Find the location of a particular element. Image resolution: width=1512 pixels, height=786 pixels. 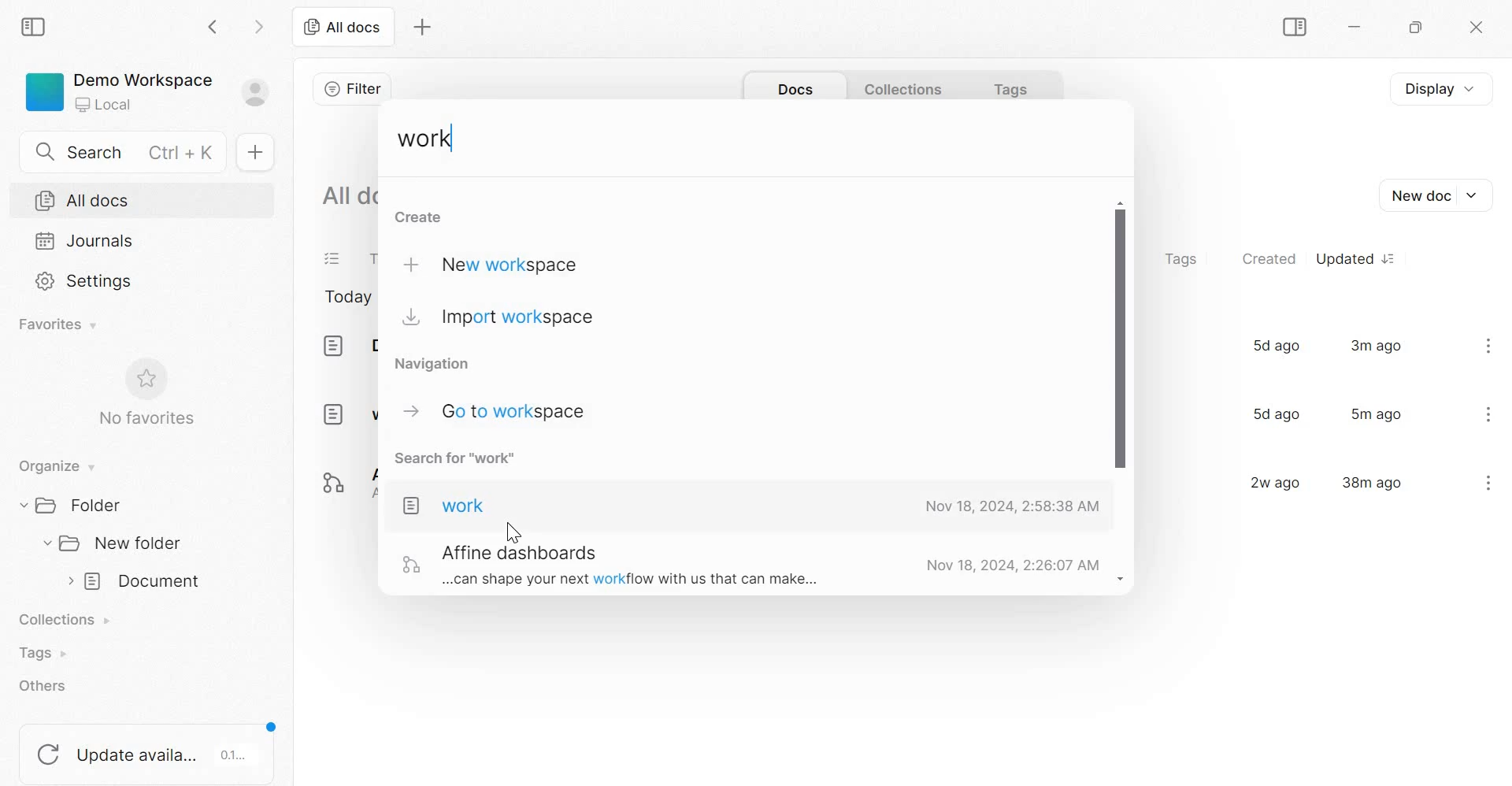

Today . 3 is located at coordinates (348, 298).